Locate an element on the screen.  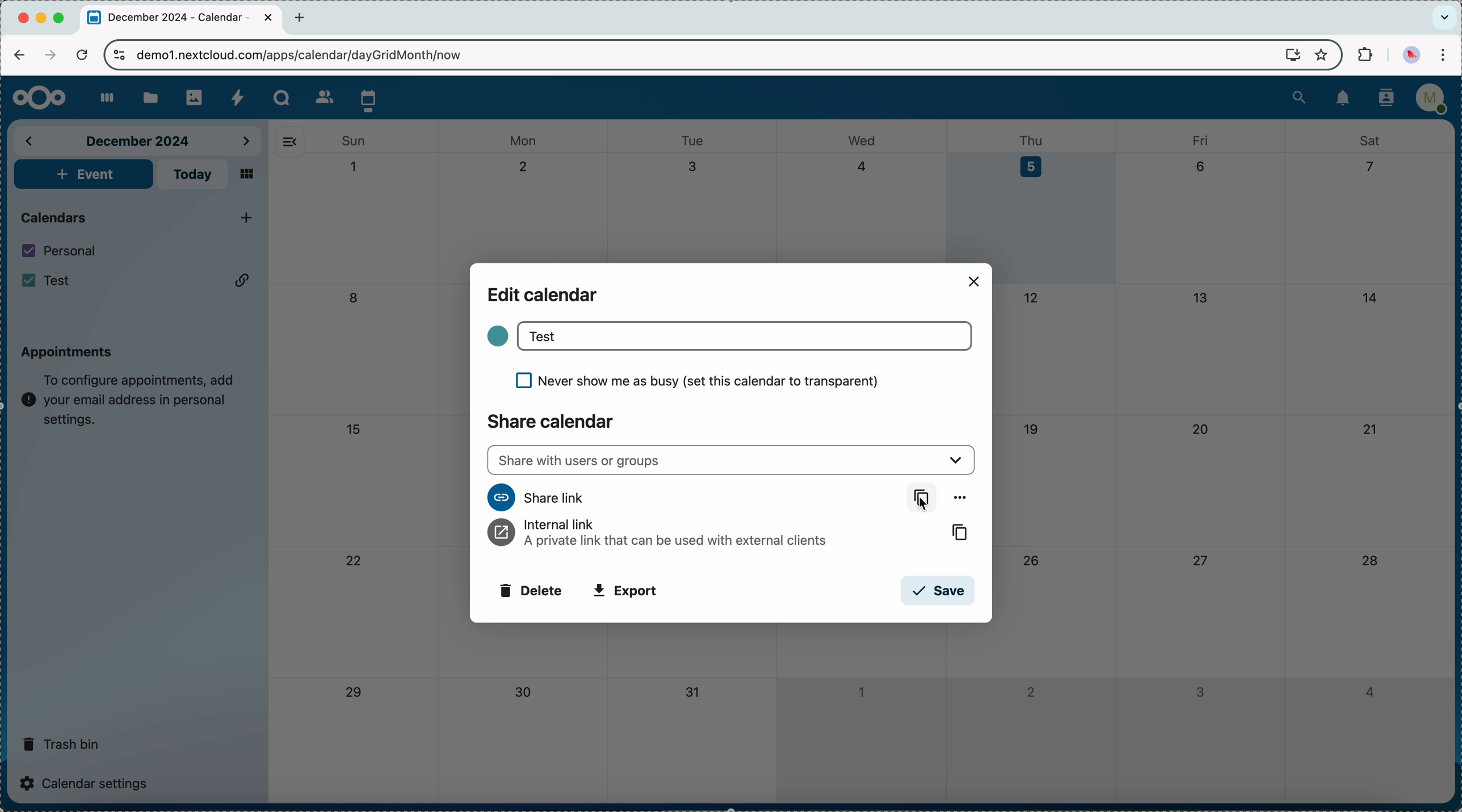
3 is located at coordinates (694, 166).